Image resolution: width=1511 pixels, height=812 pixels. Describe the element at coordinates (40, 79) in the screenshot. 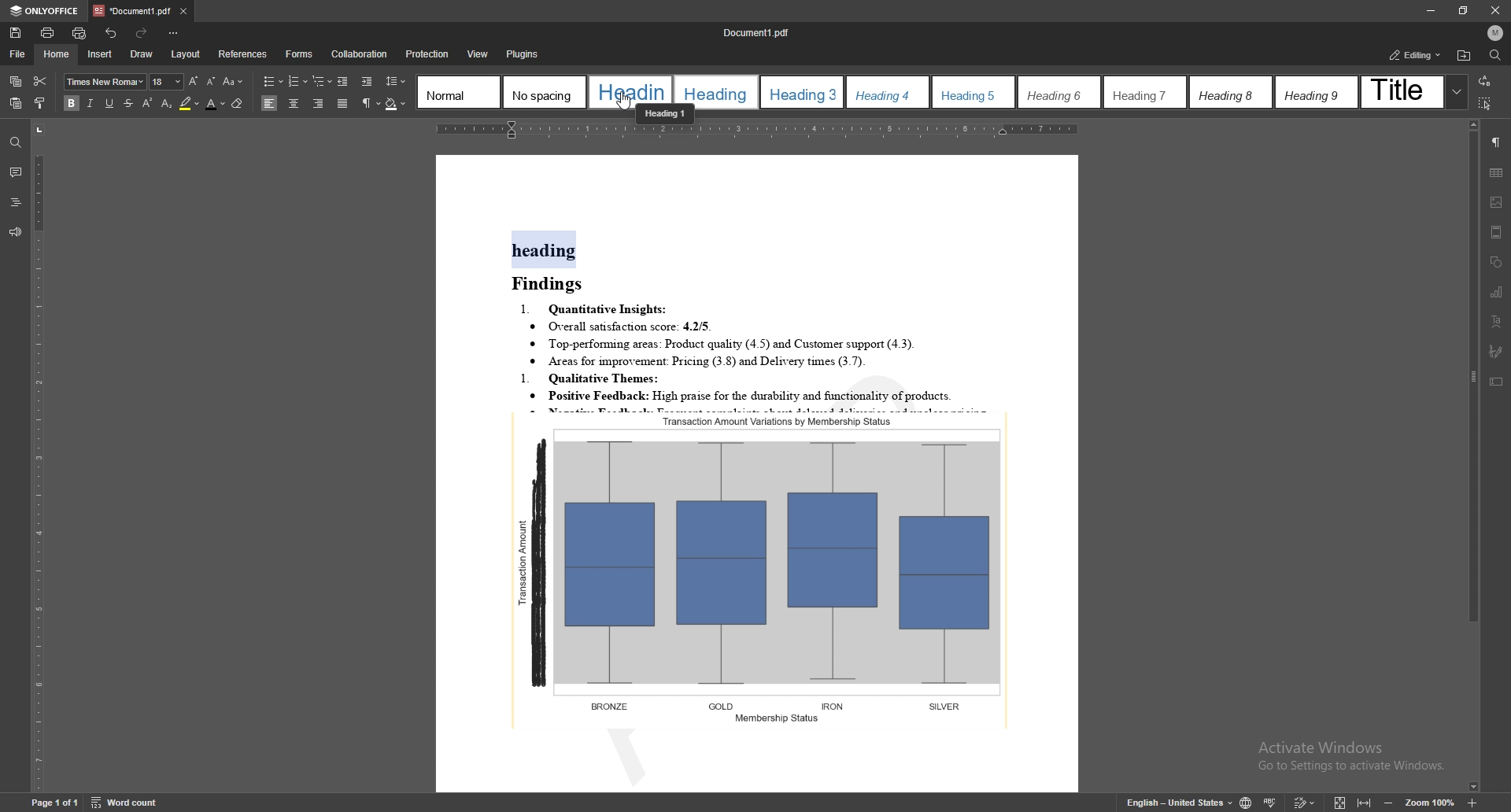

I see `cut` at that location.